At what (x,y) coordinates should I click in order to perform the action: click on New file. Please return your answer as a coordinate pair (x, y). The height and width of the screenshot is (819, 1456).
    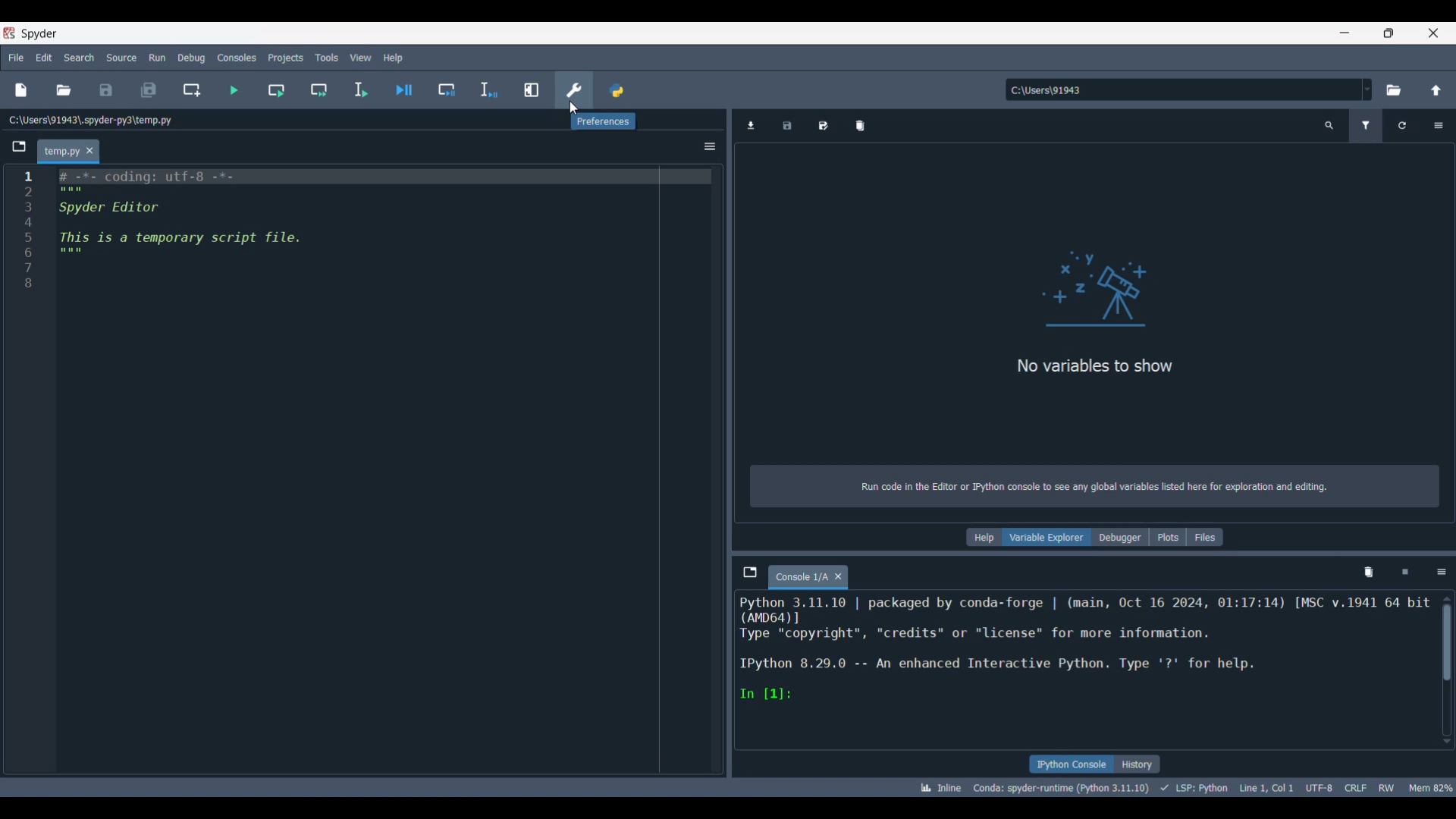
    Looking at the image, I should click on (21, 90).